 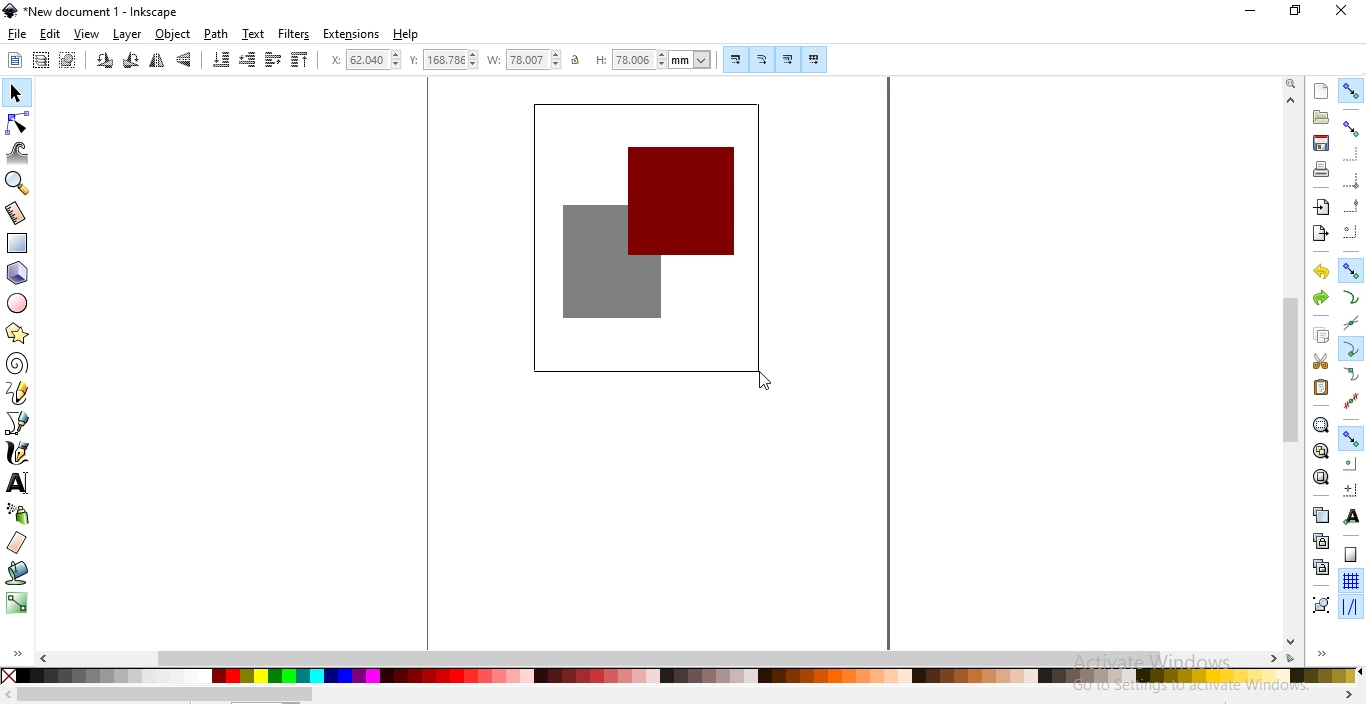 What do you see at coordinates (1292, 369) in the screenshot?
I see `scrollbar` at bounding box center [1292, 369].